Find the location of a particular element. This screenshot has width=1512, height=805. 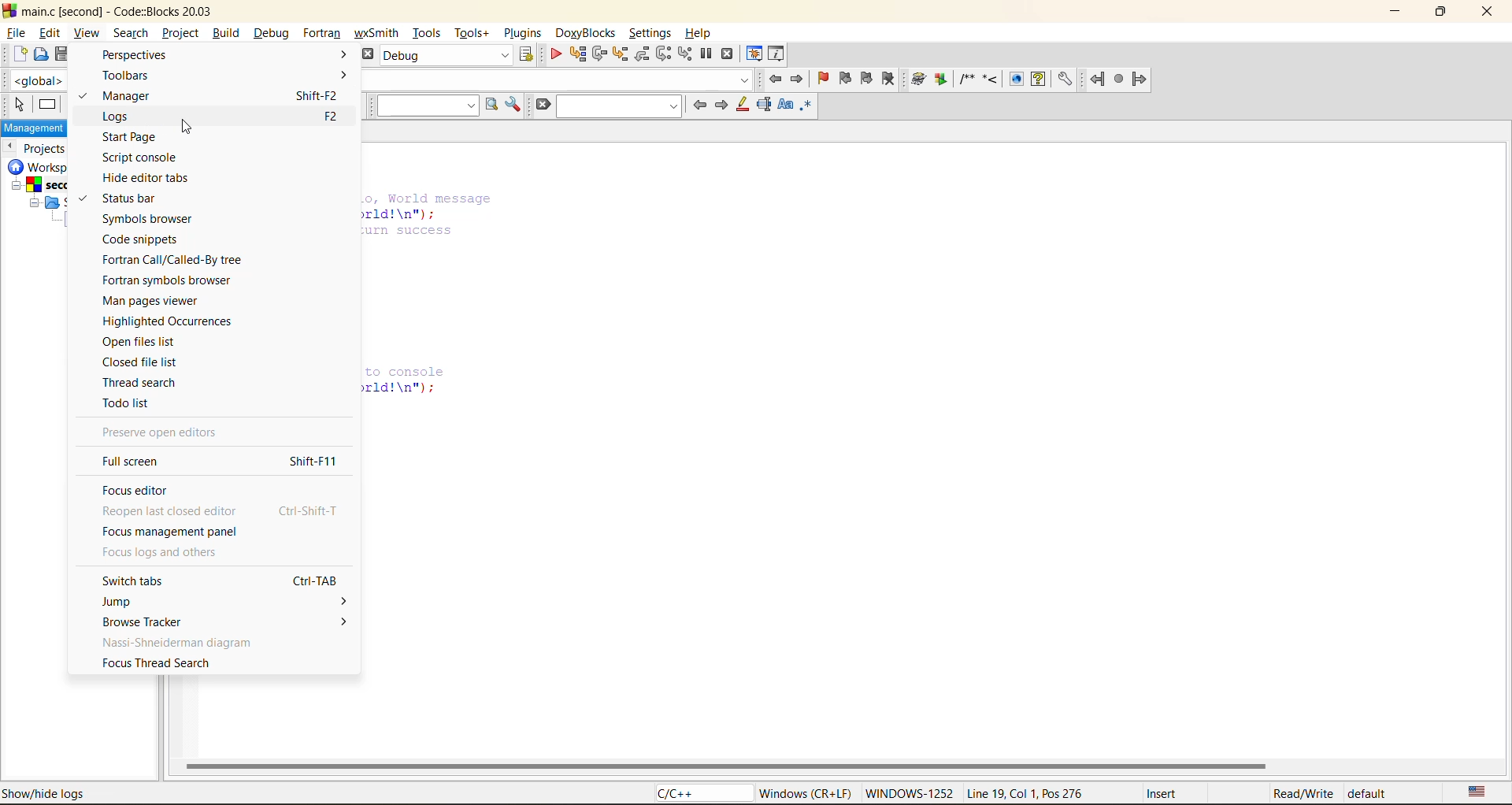

focus editor is located at coordinates (137, 489).